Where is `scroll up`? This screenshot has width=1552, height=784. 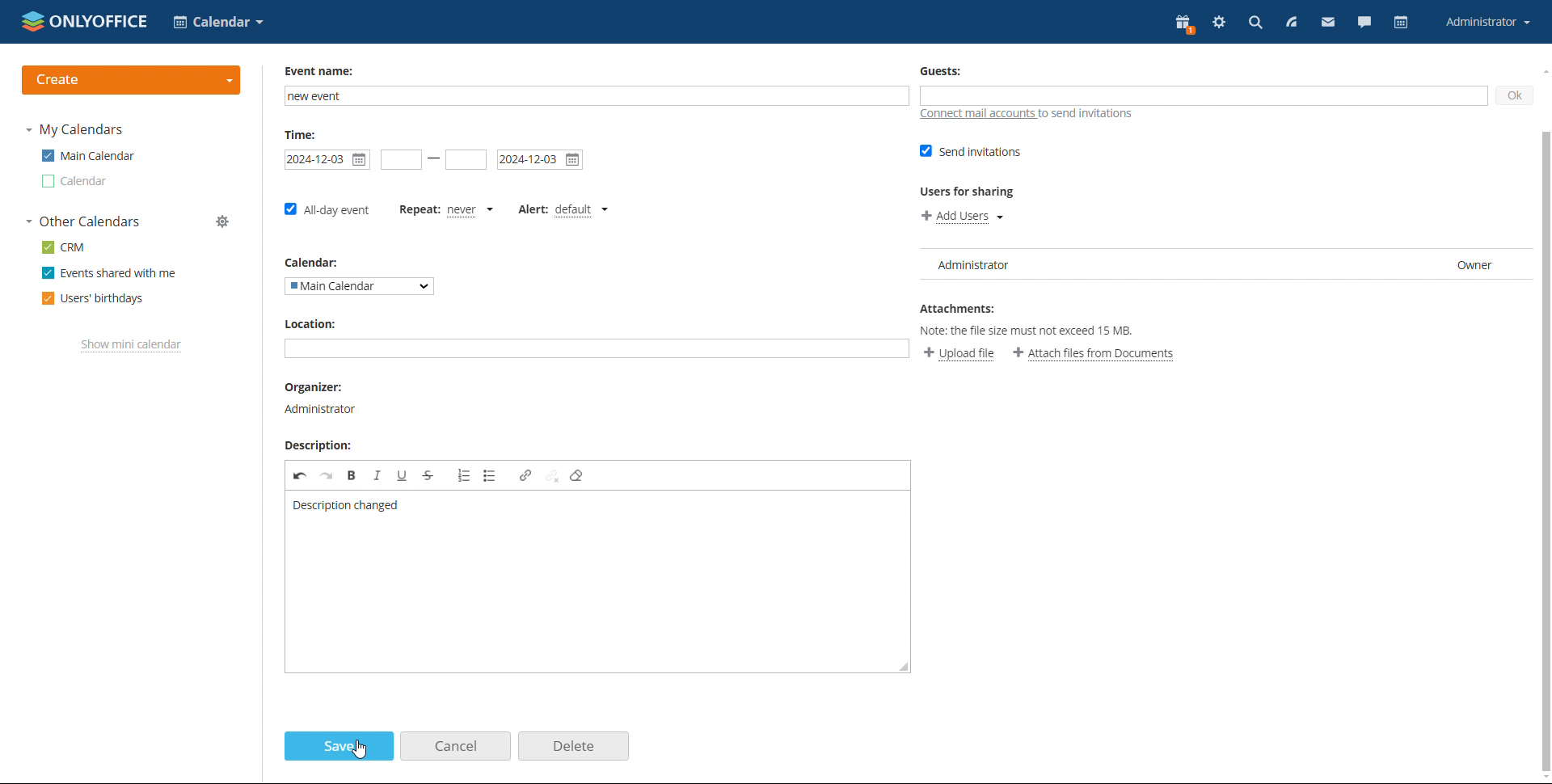
scroll up is located at coordinates (1542, 72).